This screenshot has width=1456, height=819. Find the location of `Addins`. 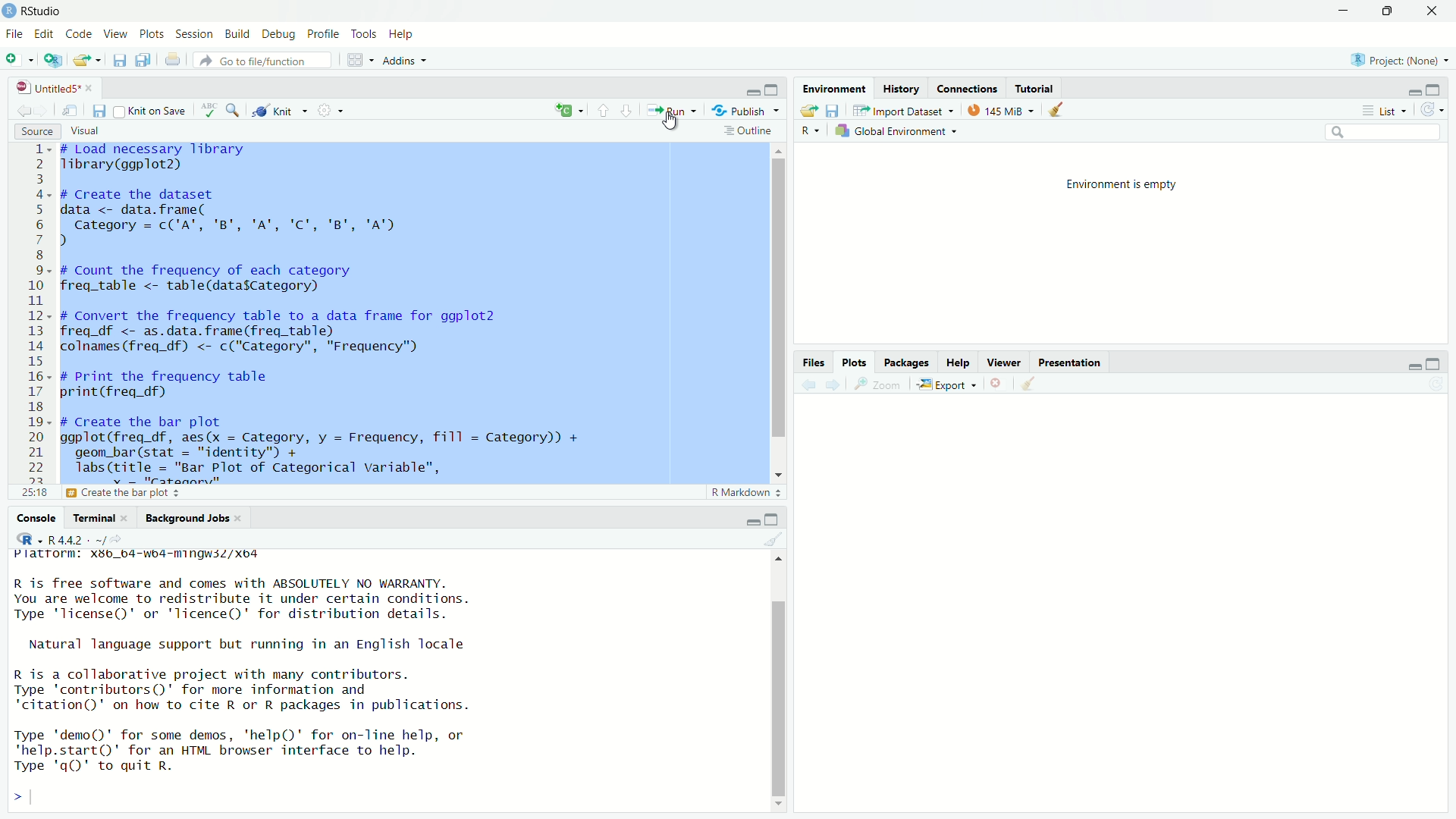

Addins is located at coordinates (406, 63).